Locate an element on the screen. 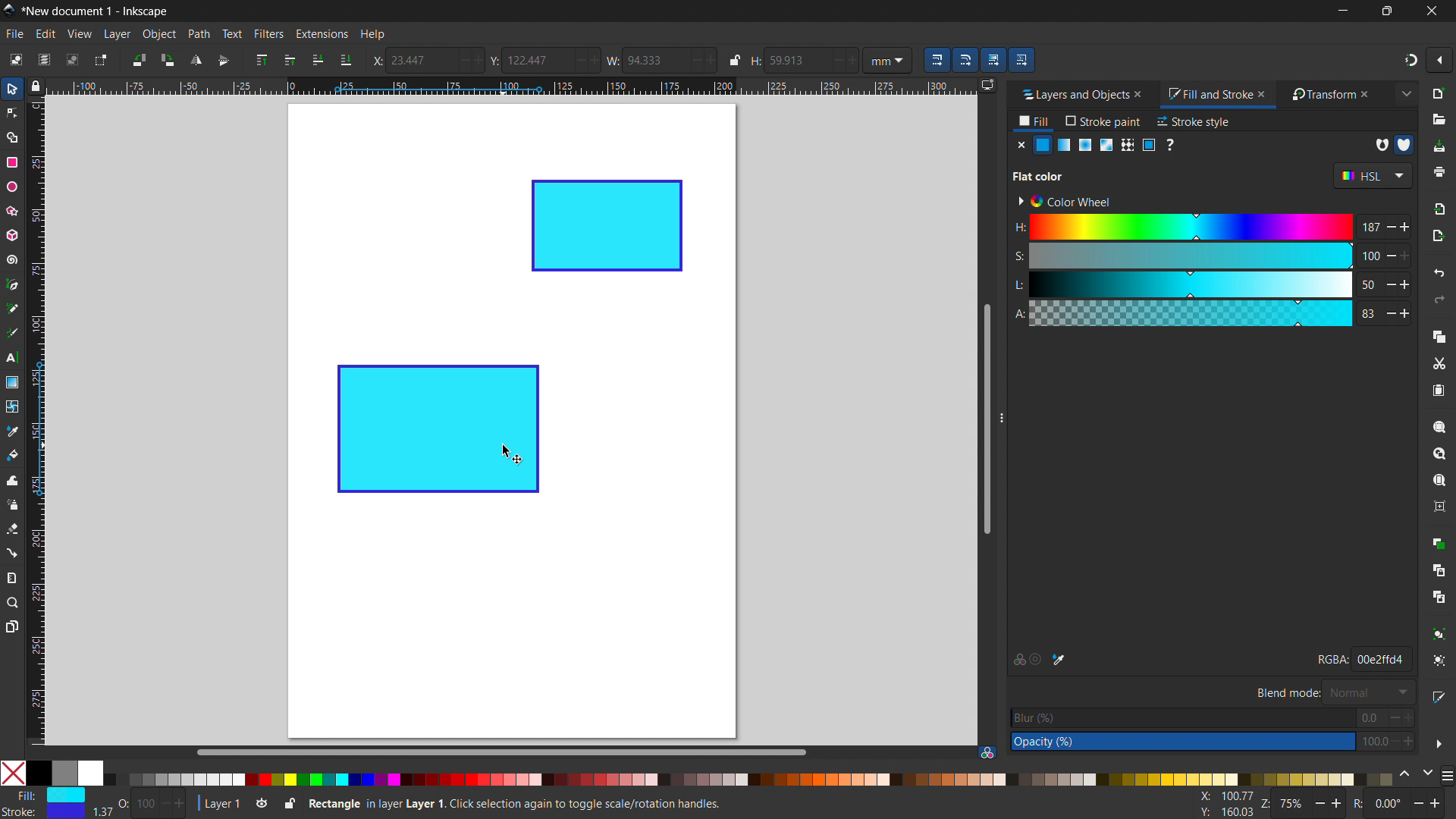 This screenshot has width=1456, height=819. blur(%): 0.0 is located at coordinates (1213, 717).